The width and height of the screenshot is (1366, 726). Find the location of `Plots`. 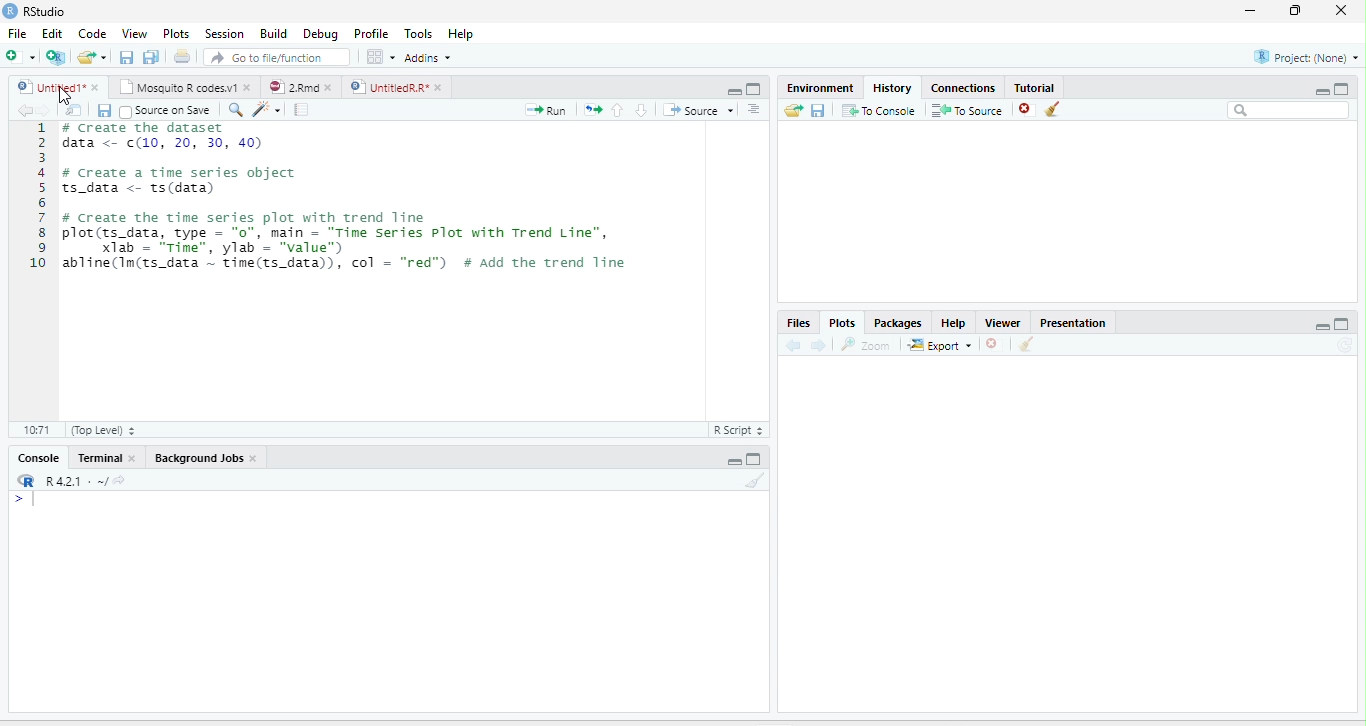

Plots is located at coordinates (841, 323).